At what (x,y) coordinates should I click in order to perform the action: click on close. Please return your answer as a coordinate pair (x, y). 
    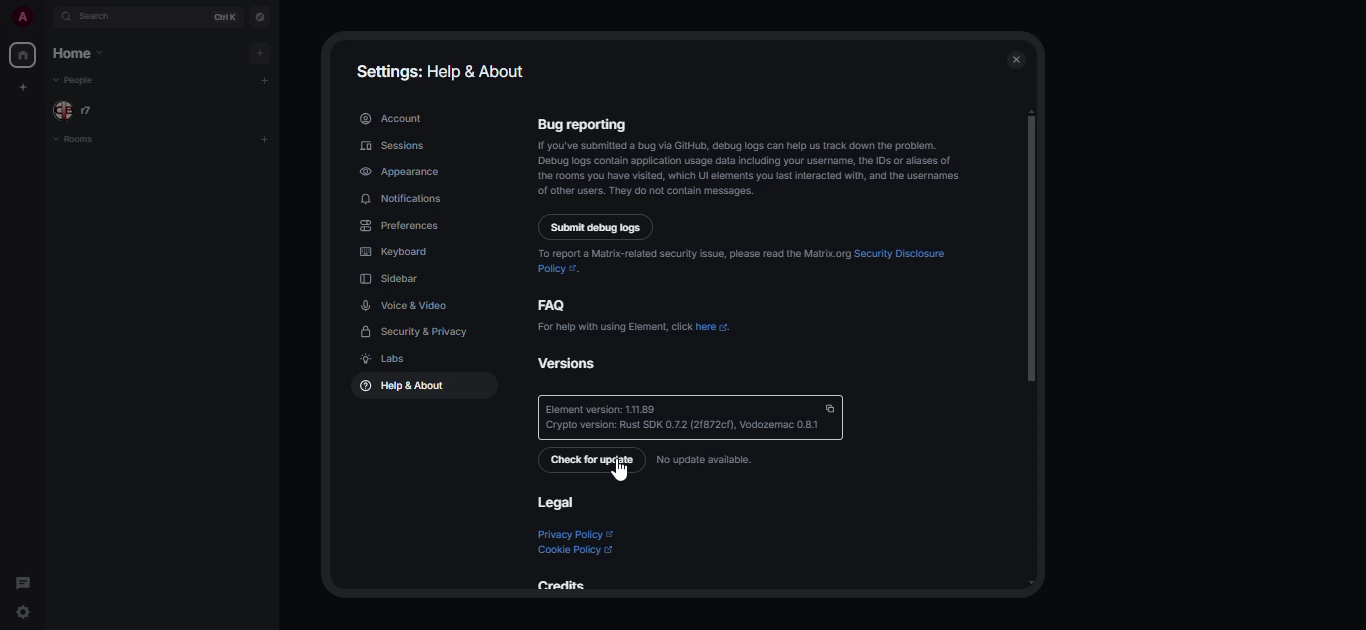
    Looking at the image, I should click on (1017, 58).